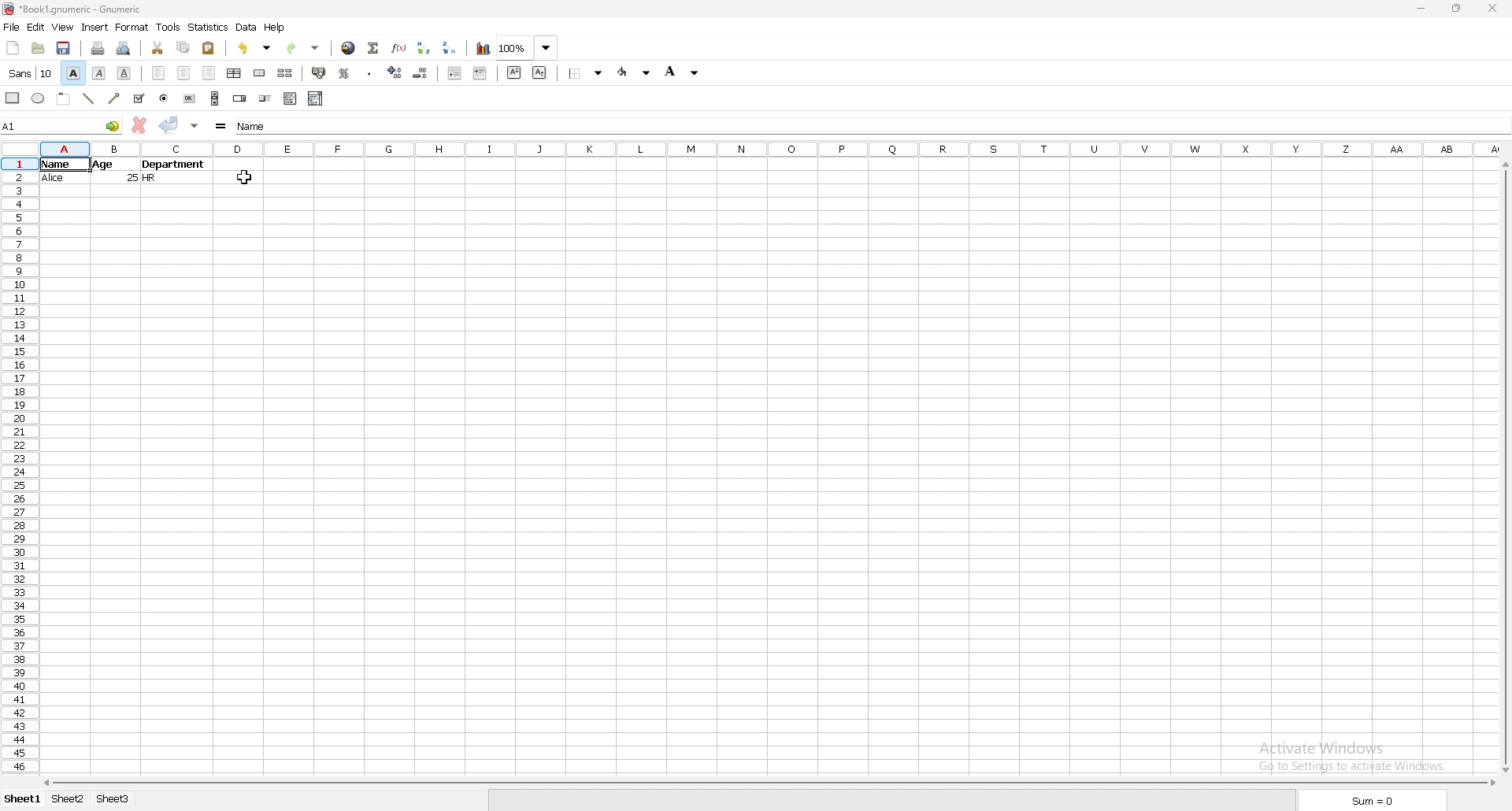 This screenshot has height=811, width=1512. What do you see at coordinates (773, 149) in the screenshot?
I see `column` at bounding box center [773, 149].